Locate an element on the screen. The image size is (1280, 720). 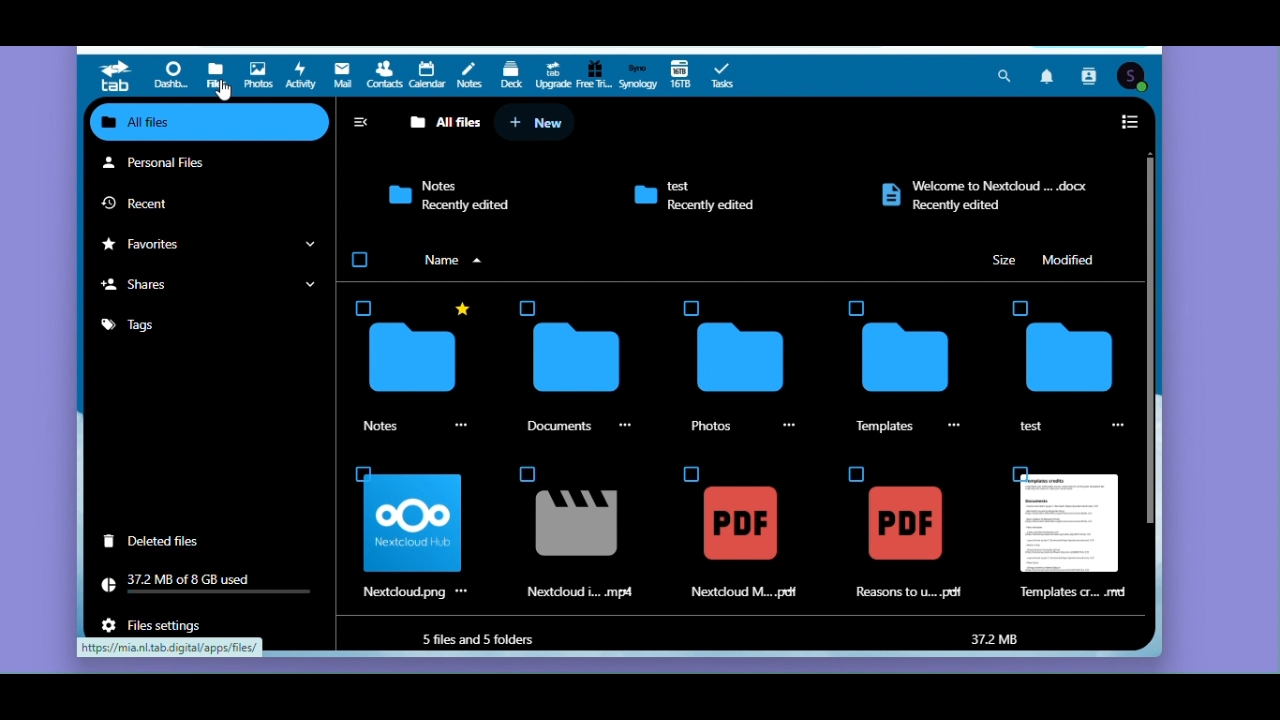
templates is located at coordinates (915, 363).